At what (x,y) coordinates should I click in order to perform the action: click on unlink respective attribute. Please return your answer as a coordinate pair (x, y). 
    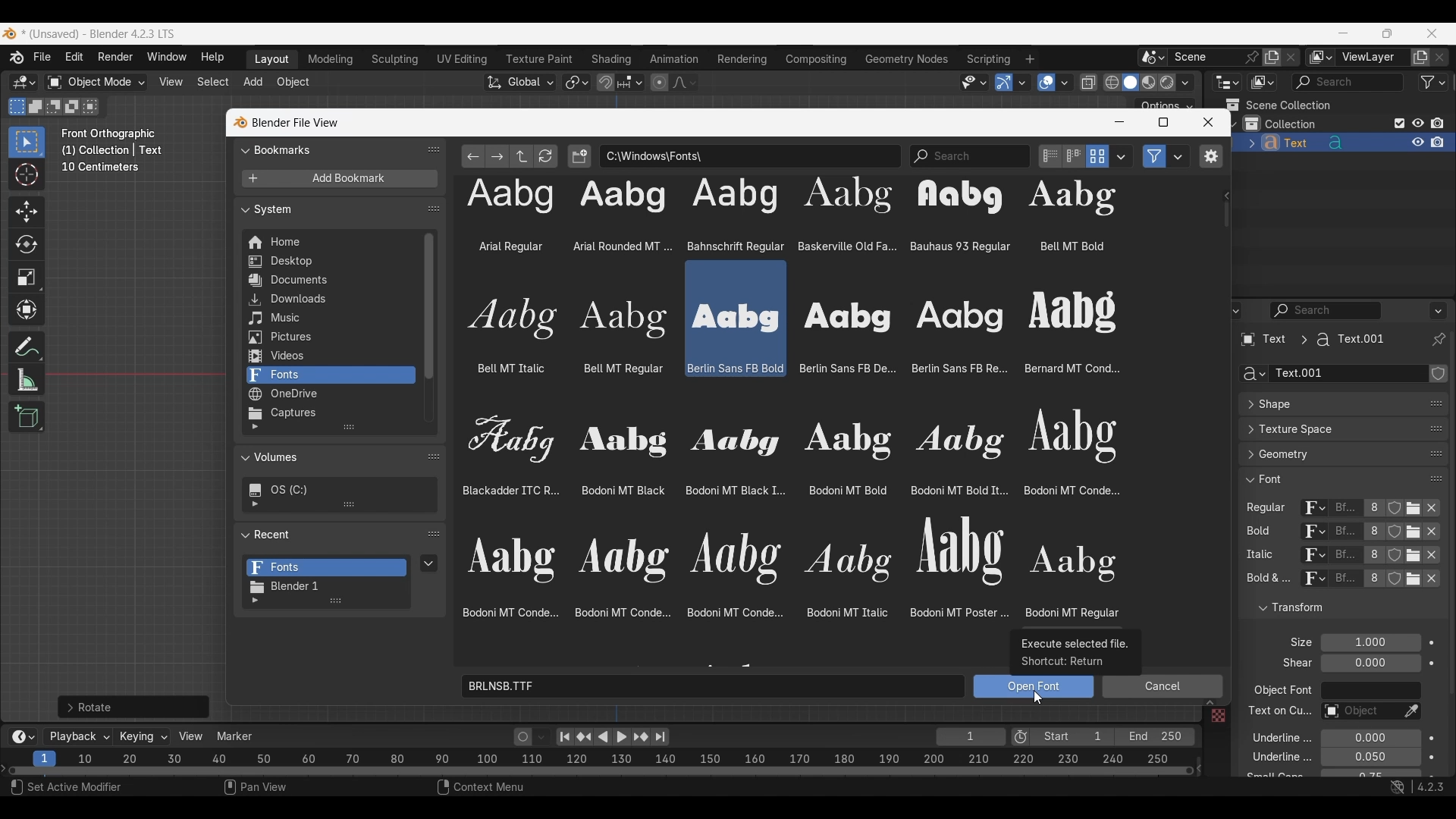
    Looking at the image, I should click on (1424, 582).